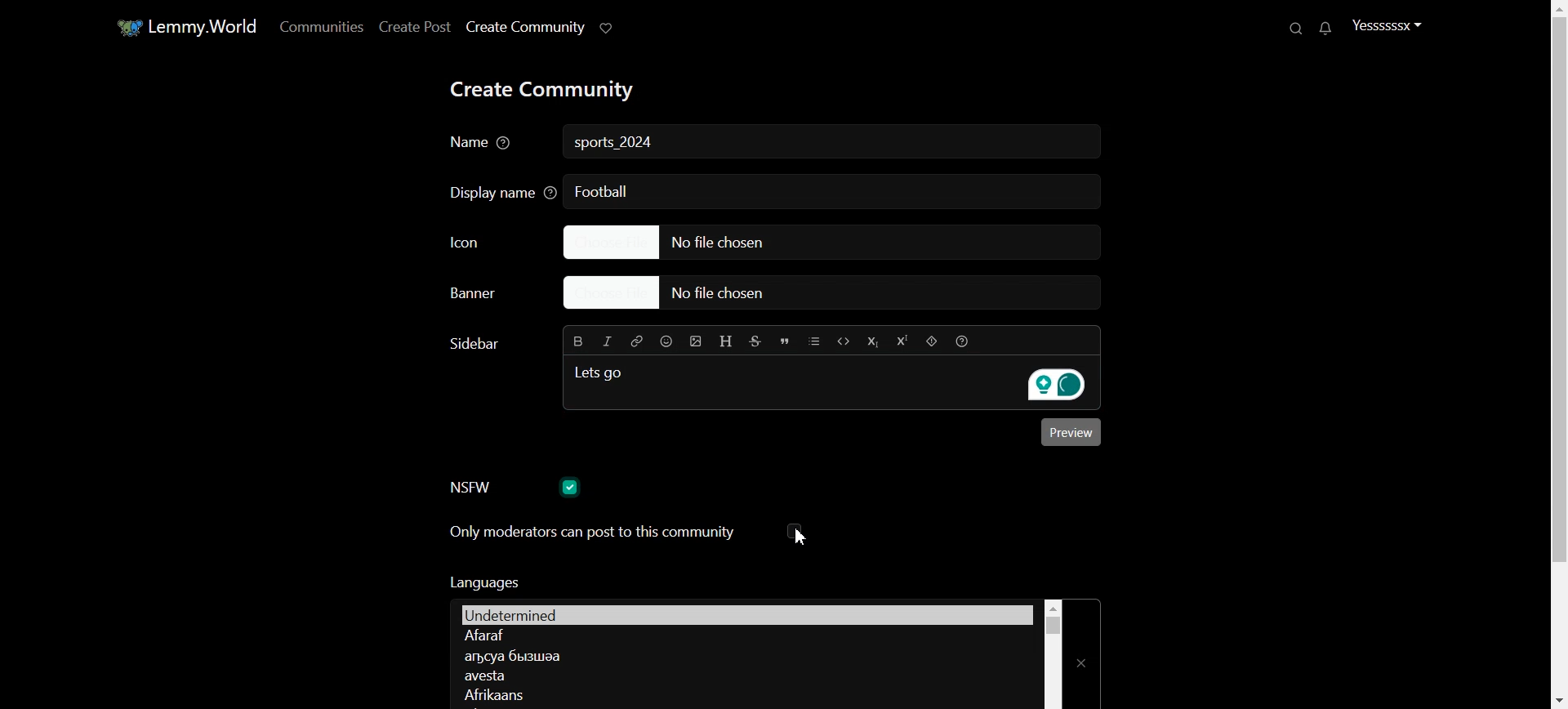 This screenshot has width=1568, height=709. What do you see at coordinates (1555, 354) in the screenshot?
I see `Vertical Scroll bar` at bounding box center [1555, 354].